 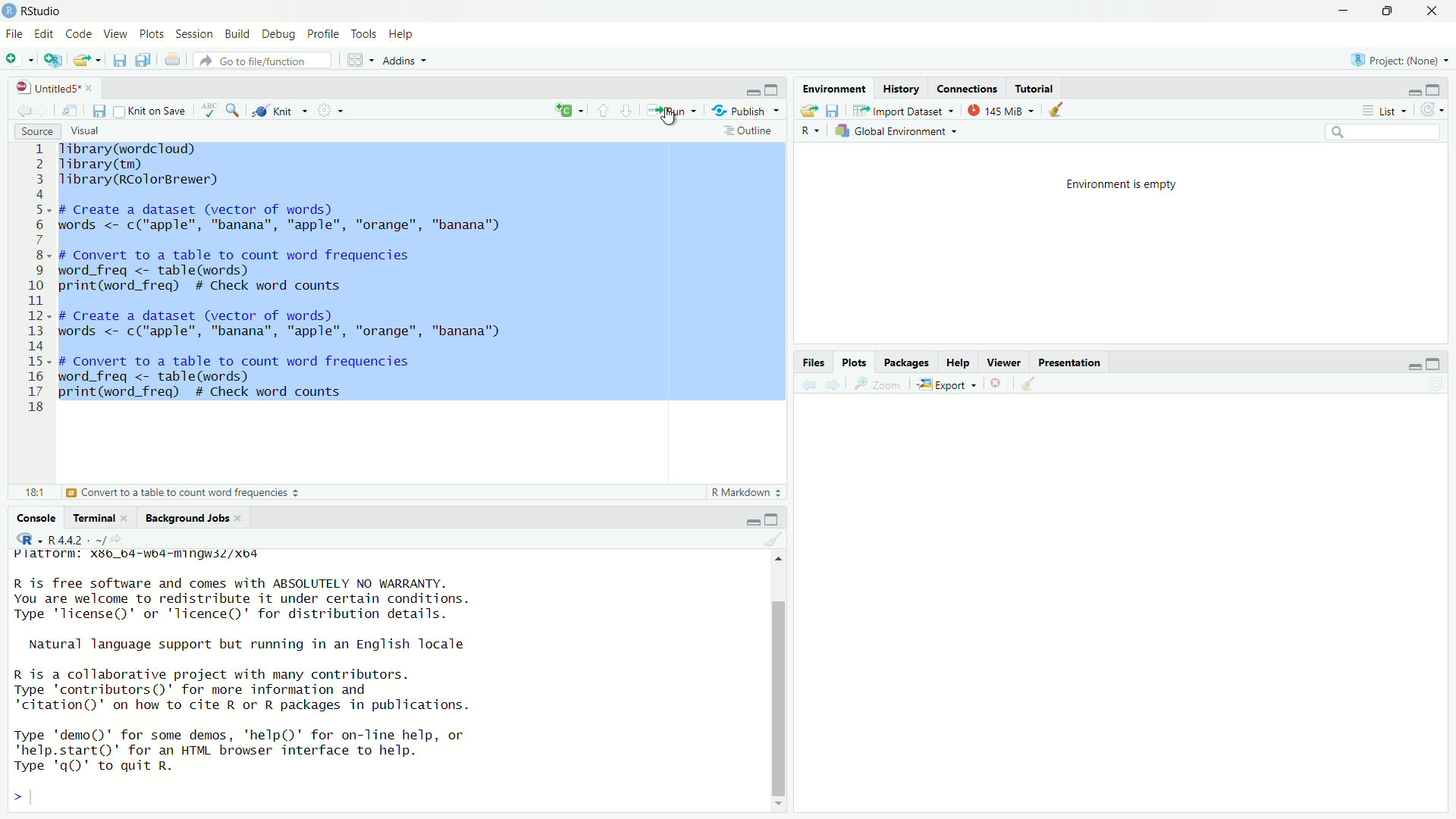 I want to click on Save Current Document, so click(x=118, y=61).